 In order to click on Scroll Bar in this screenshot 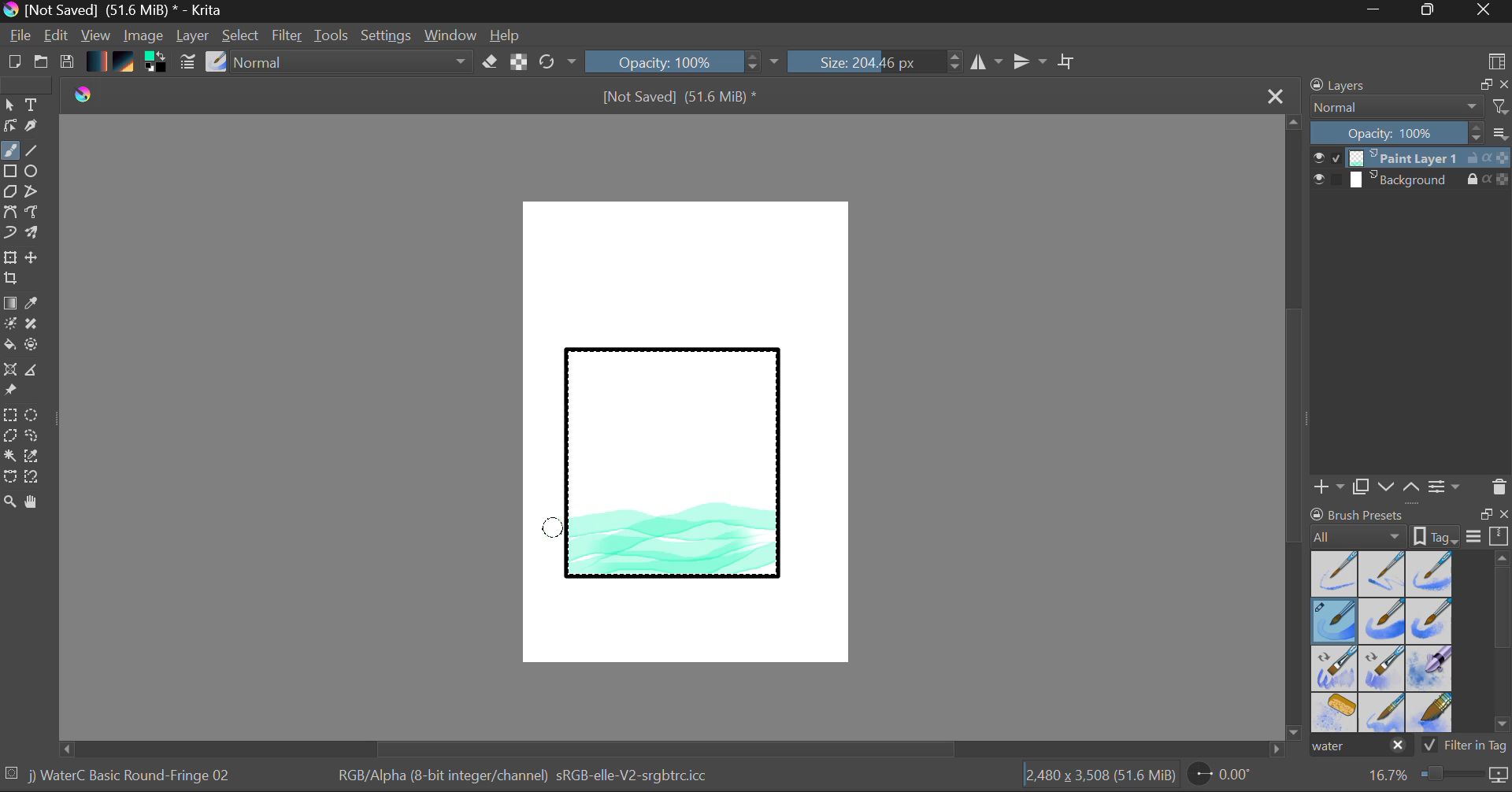, I will do `click(673, 749)`.